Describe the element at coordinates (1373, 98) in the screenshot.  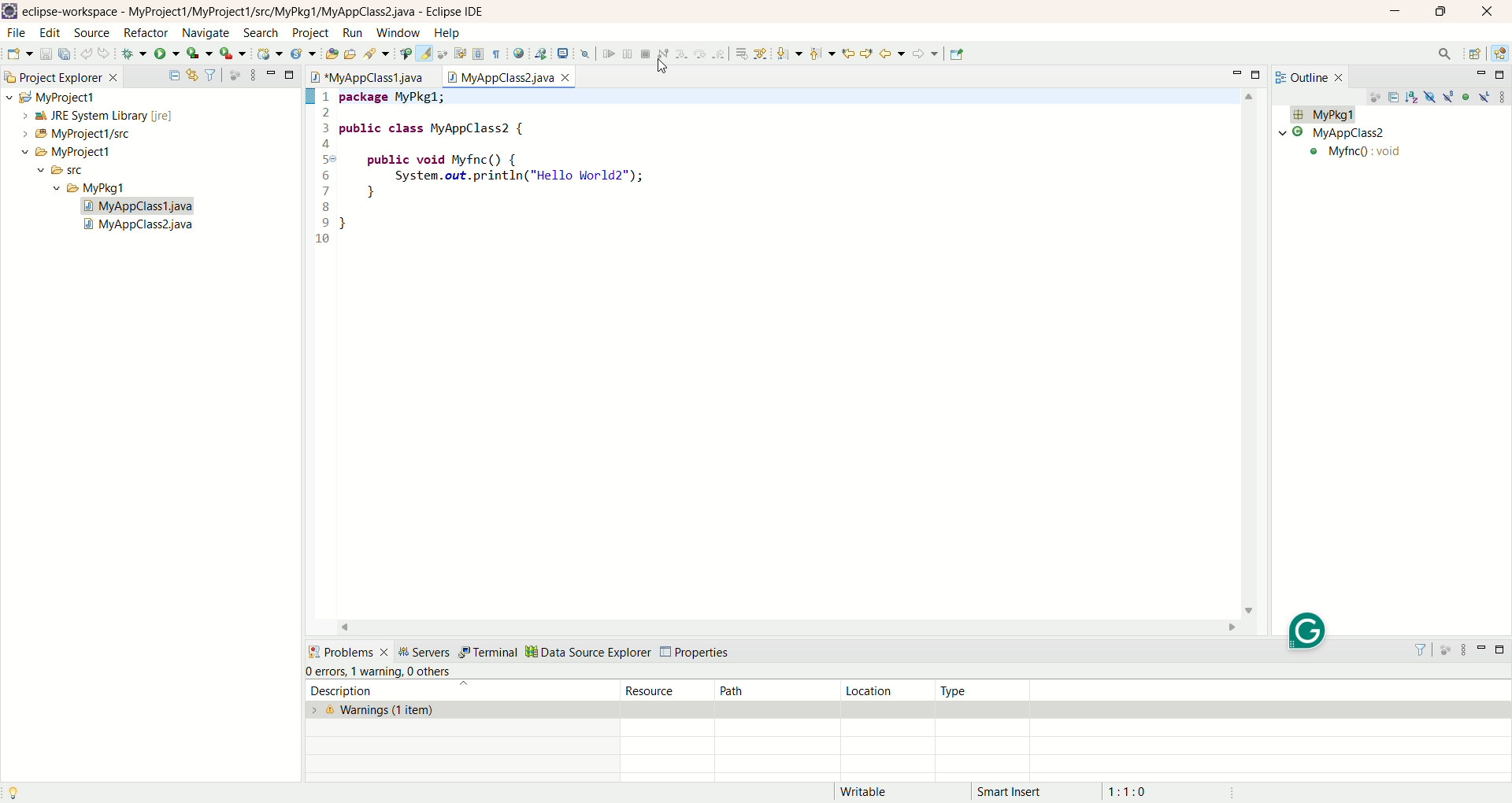
I see `focus on active task` at that location.